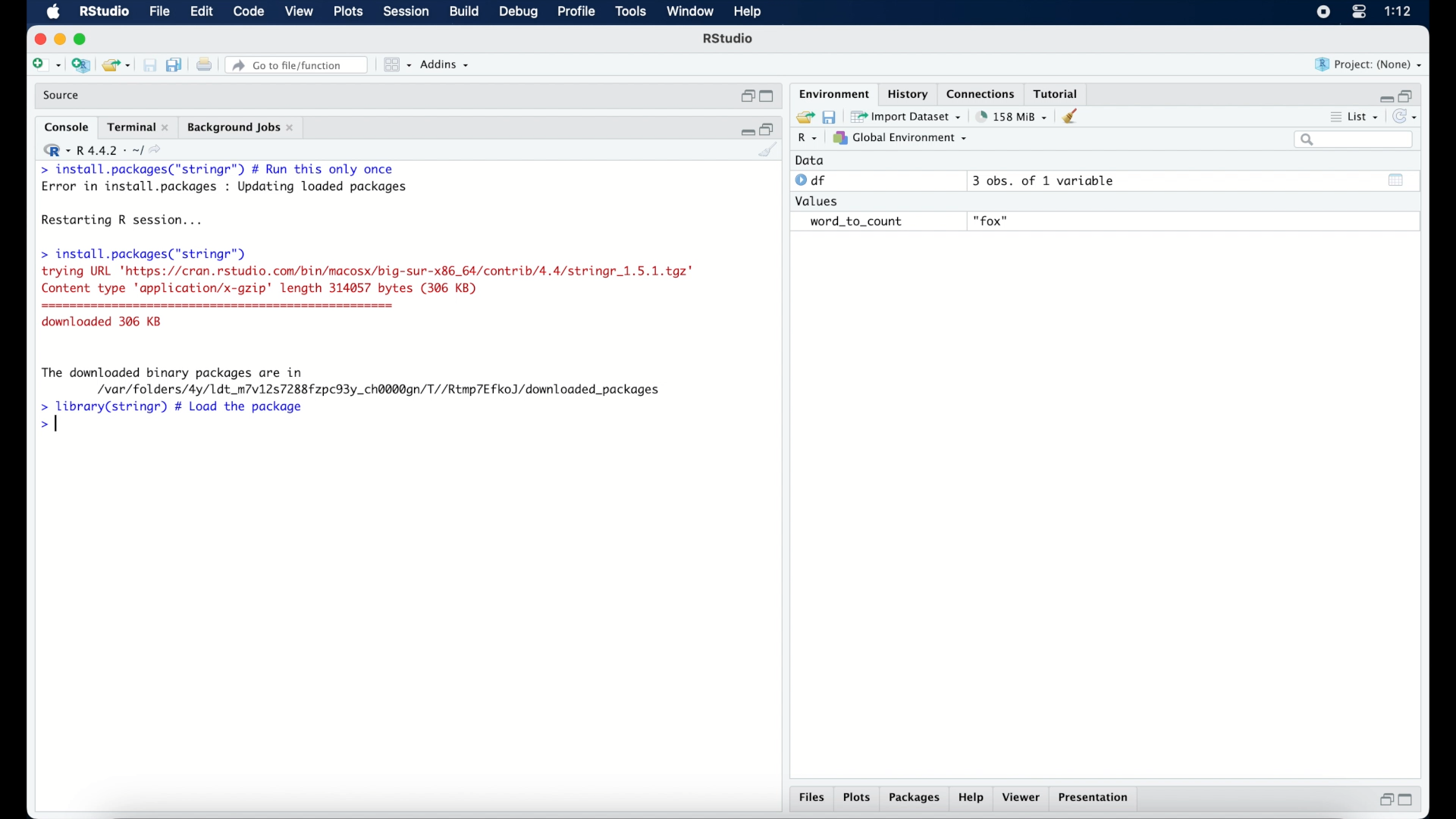 This screenshot has width=1456, height=819. What do you see at coordinates (1397, 180) in the screenshot?
I see `show output window` at bounding box center [1397, 180].